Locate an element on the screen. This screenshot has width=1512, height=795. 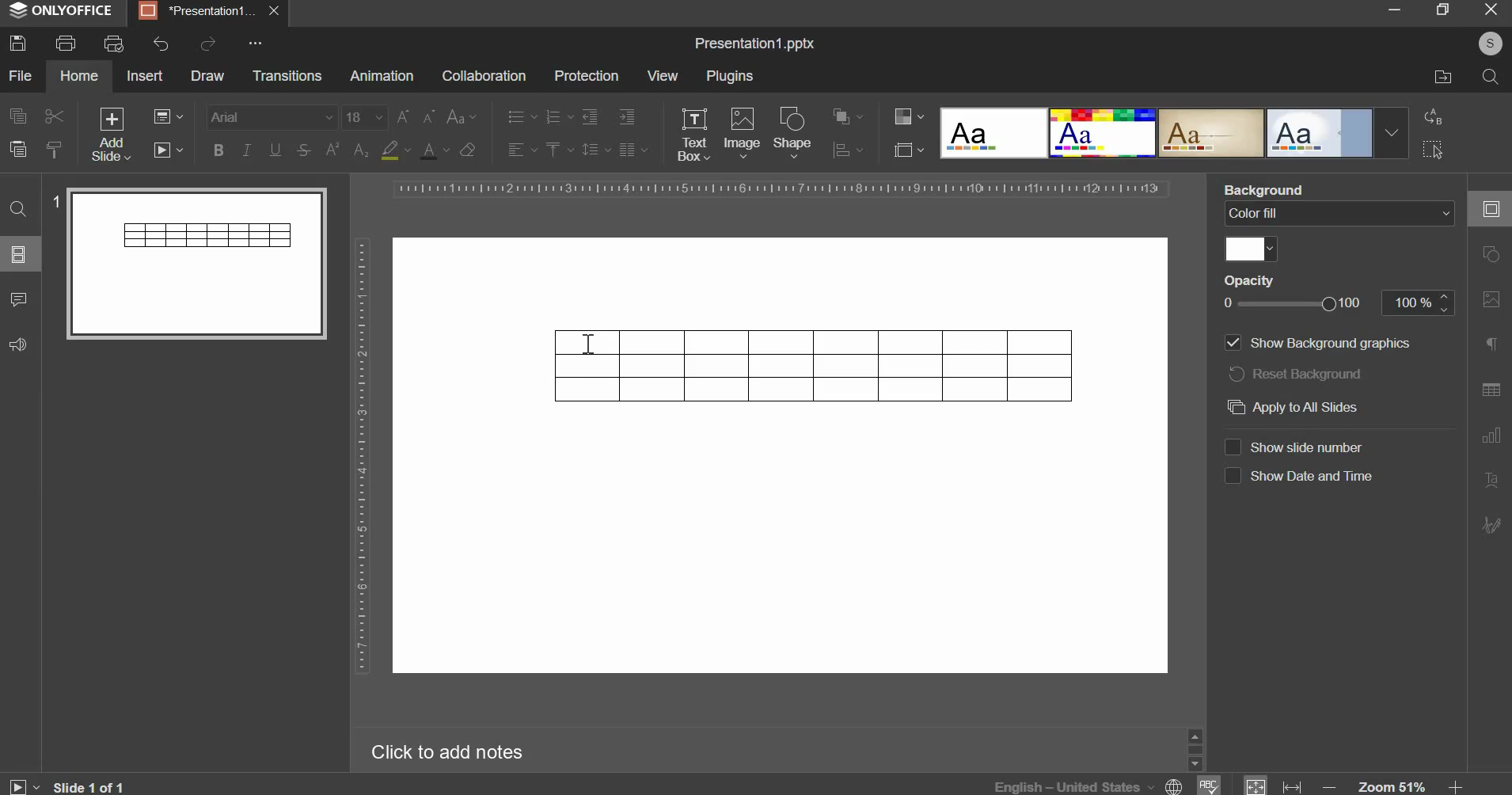
User's account is located at coordinates (1490, 42).